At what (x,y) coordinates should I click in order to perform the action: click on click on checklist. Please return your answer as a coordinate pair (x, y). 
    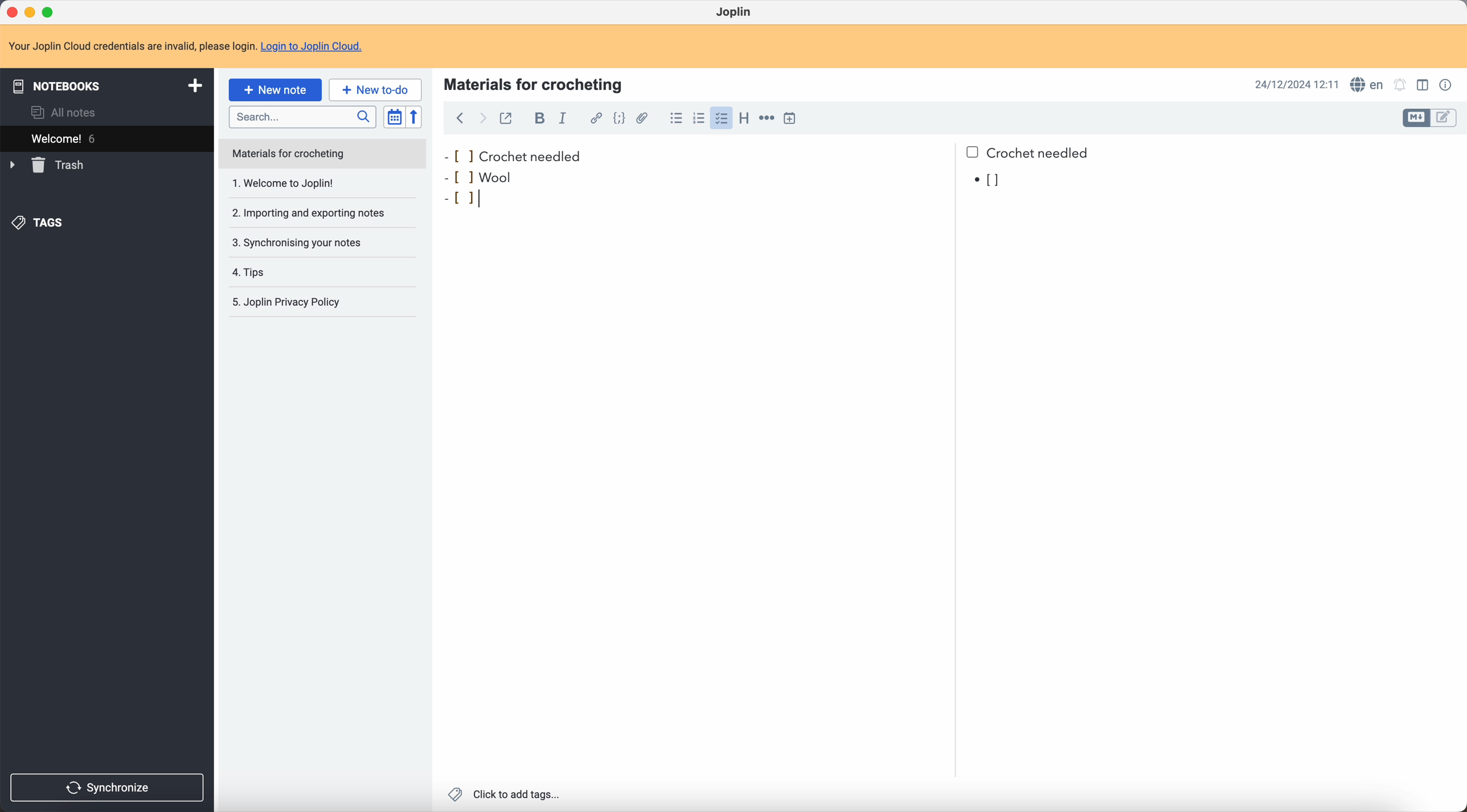
    Looking at the image, I should click on (719, 118).